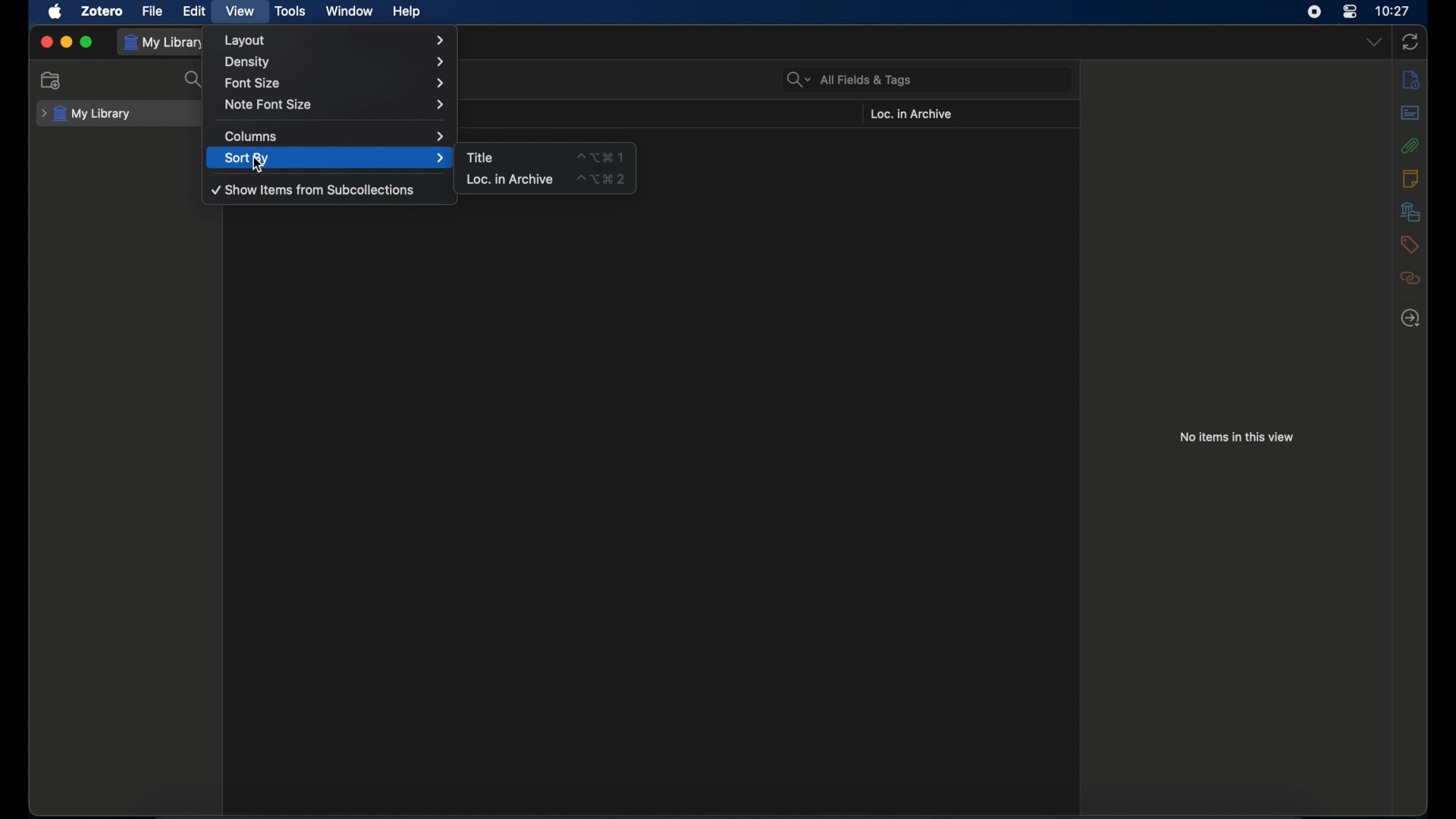 The width and height of the screenshot is (1456, 819). I want to click on notes, so click(1410, 178).